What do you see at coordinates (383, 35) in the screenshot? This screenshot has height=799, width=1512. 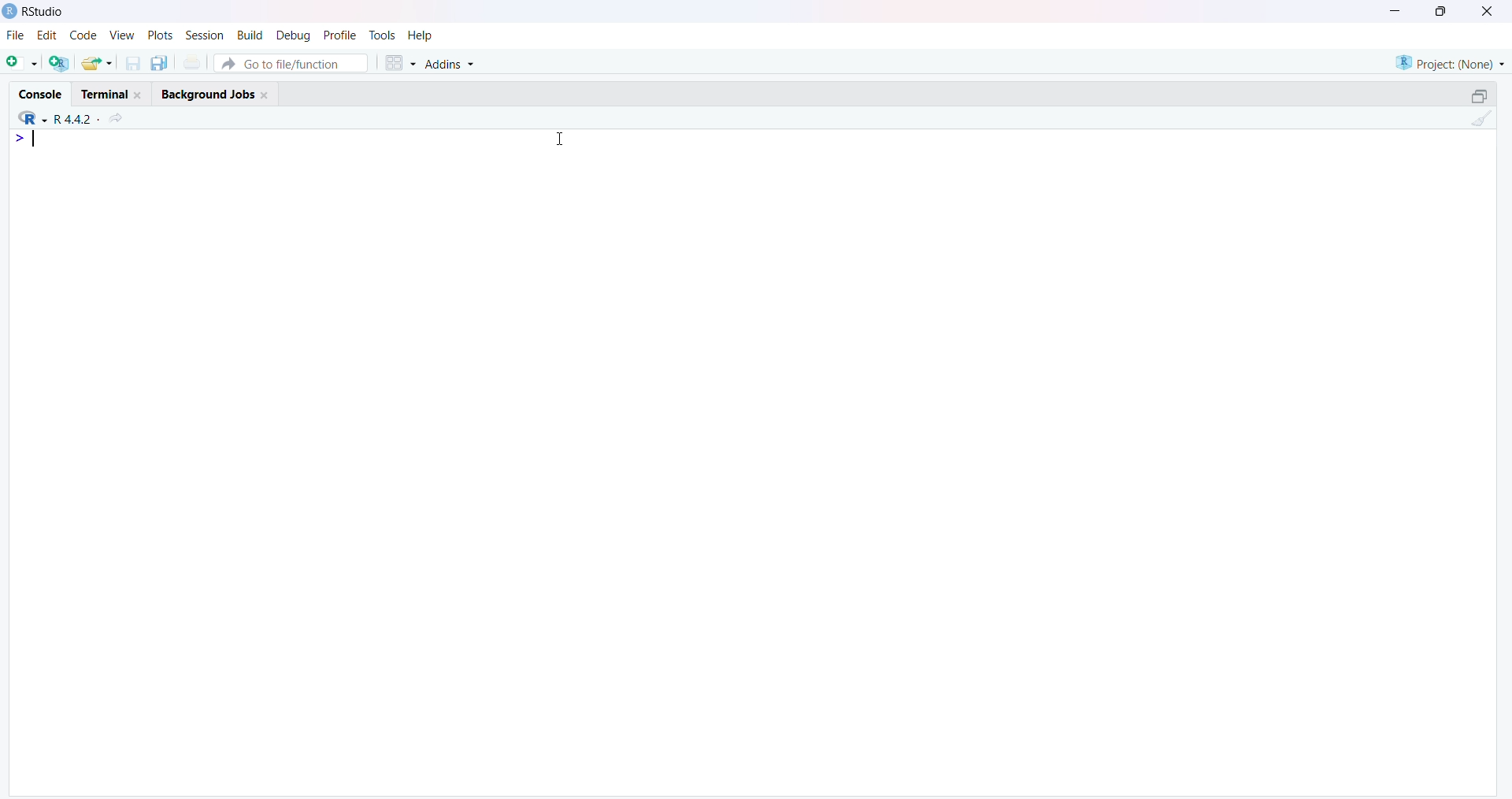 I see `Tools` at bounding box center [383, 35].